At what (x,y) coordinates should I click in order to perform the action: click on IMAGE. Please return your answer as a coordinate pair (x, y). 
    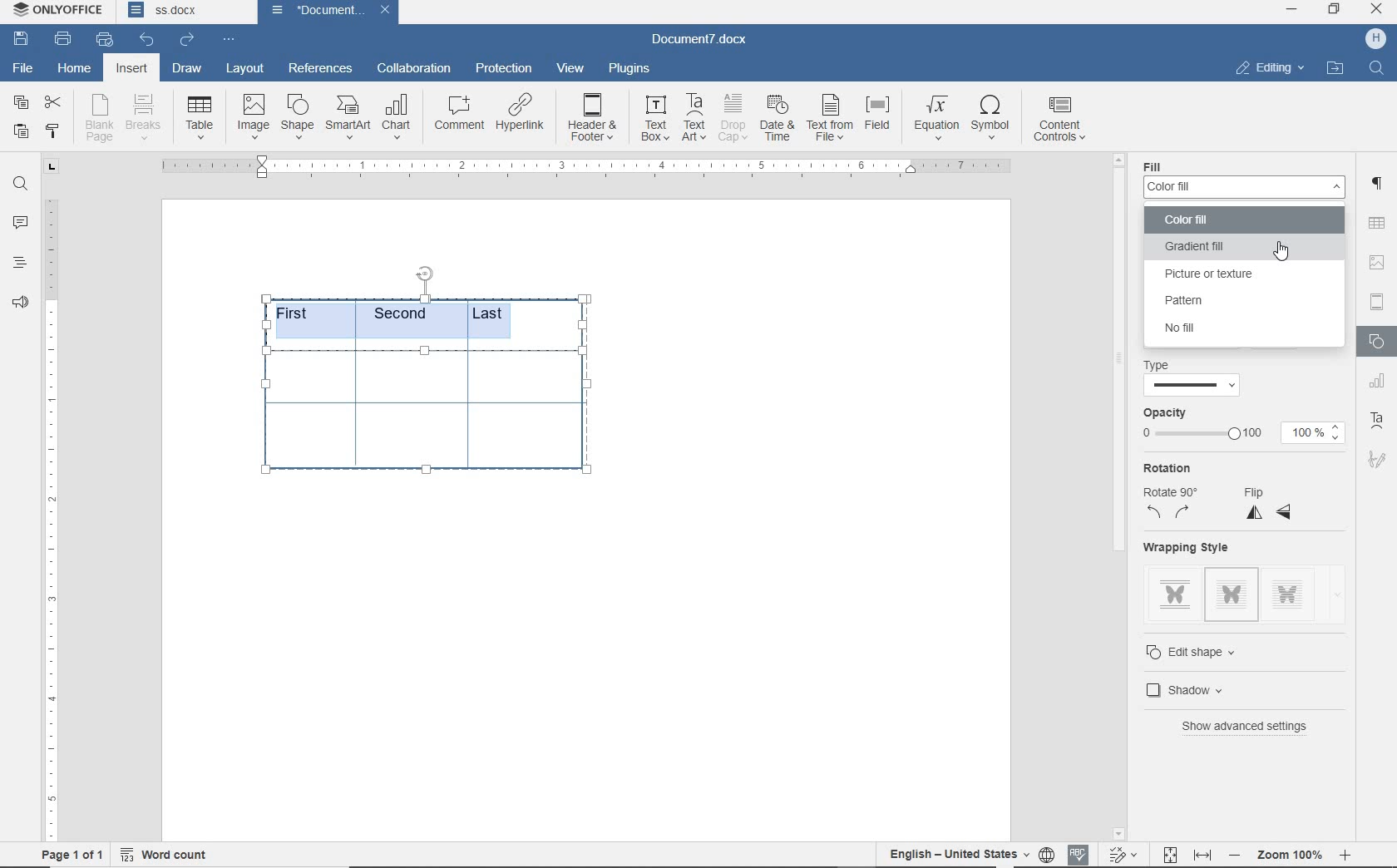
    Looking at the image, I should click on (1378, 262).